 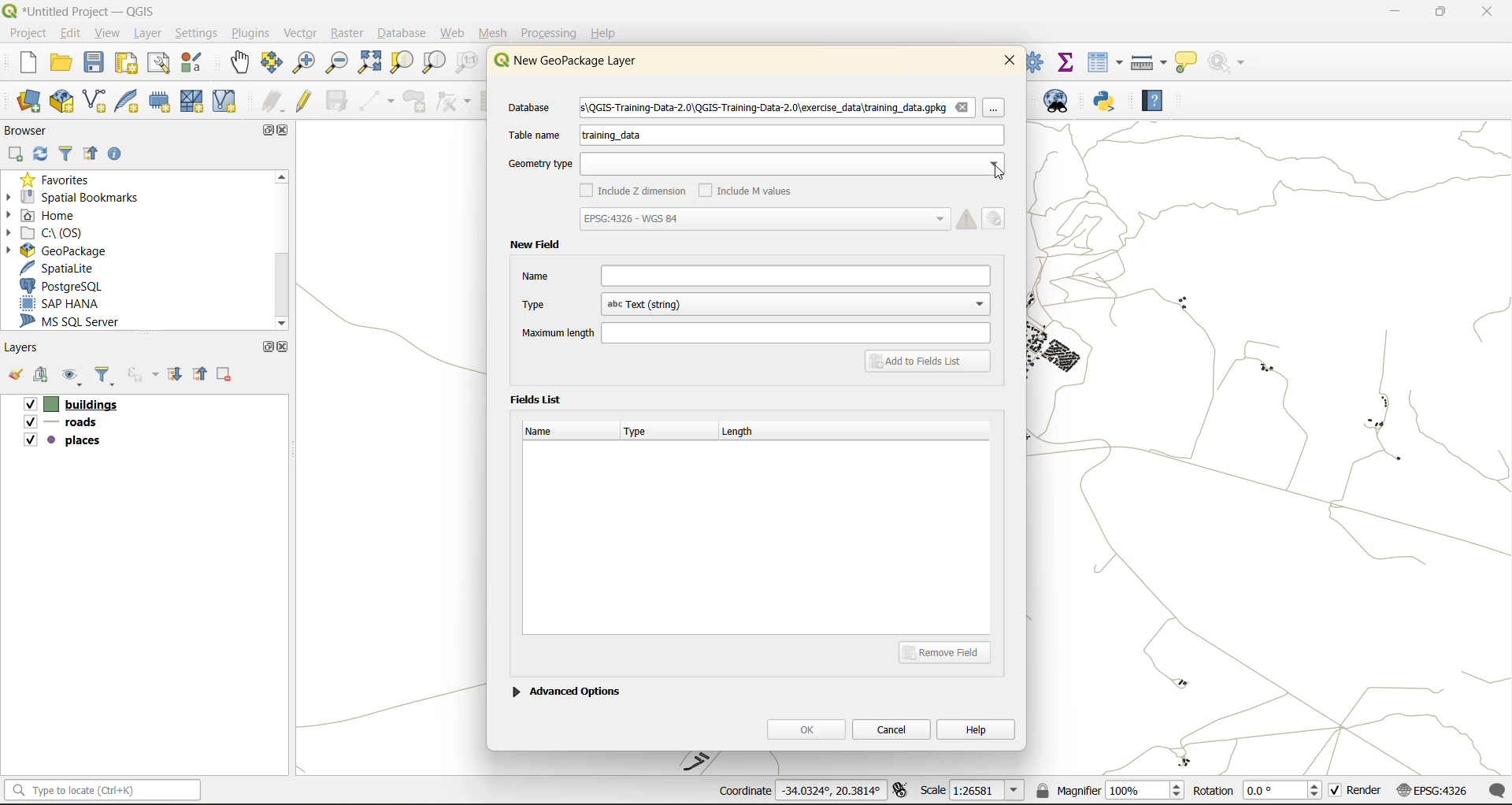 What do you see at coordinates (335, 65) in the screenshot?
I see `zoom out` at bounding box center [335, 65].